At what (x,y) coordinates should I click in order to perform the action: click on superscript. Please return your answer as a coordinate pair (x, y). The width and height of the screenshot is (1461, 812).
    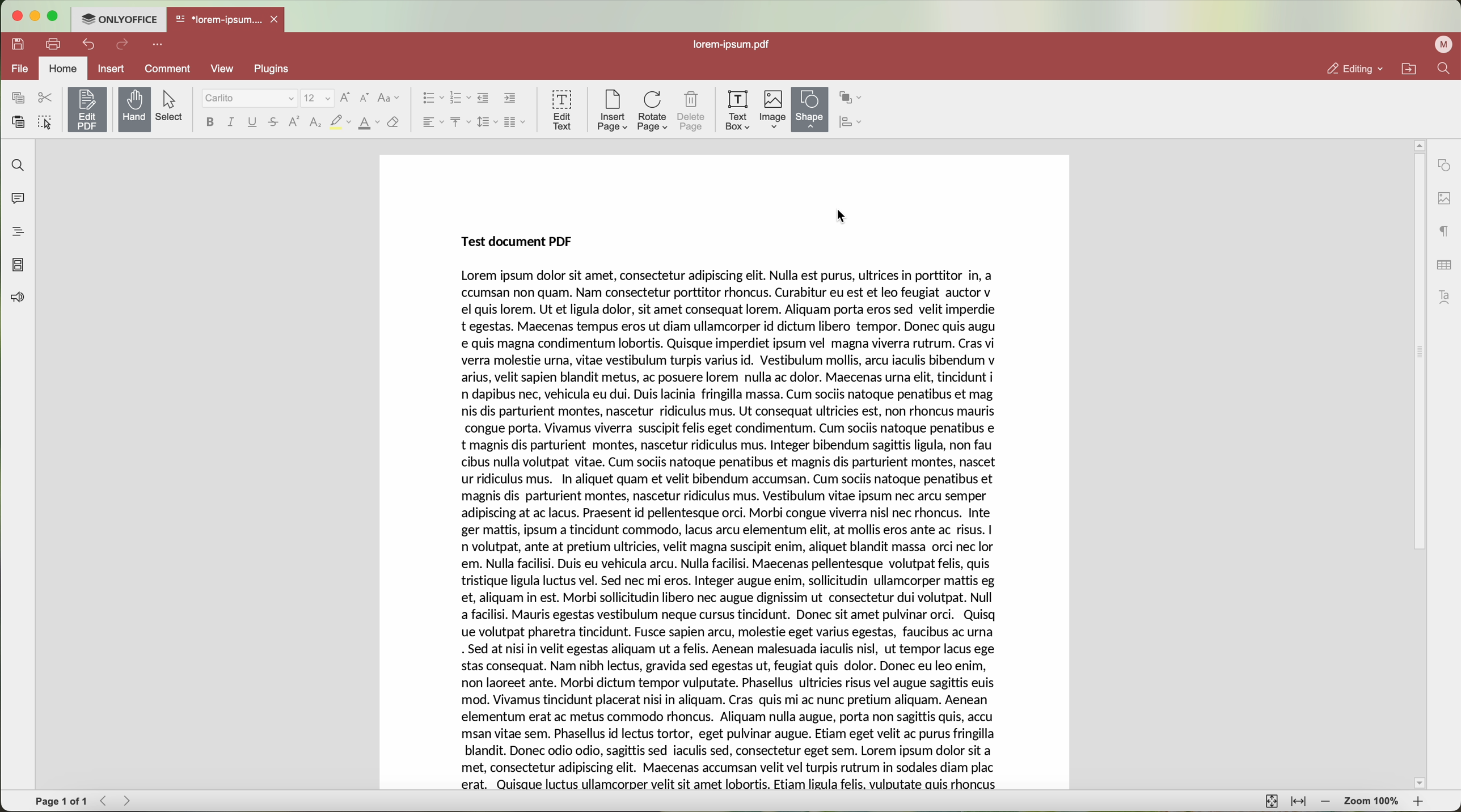
    Looking at the image, I should click on (293, 122).